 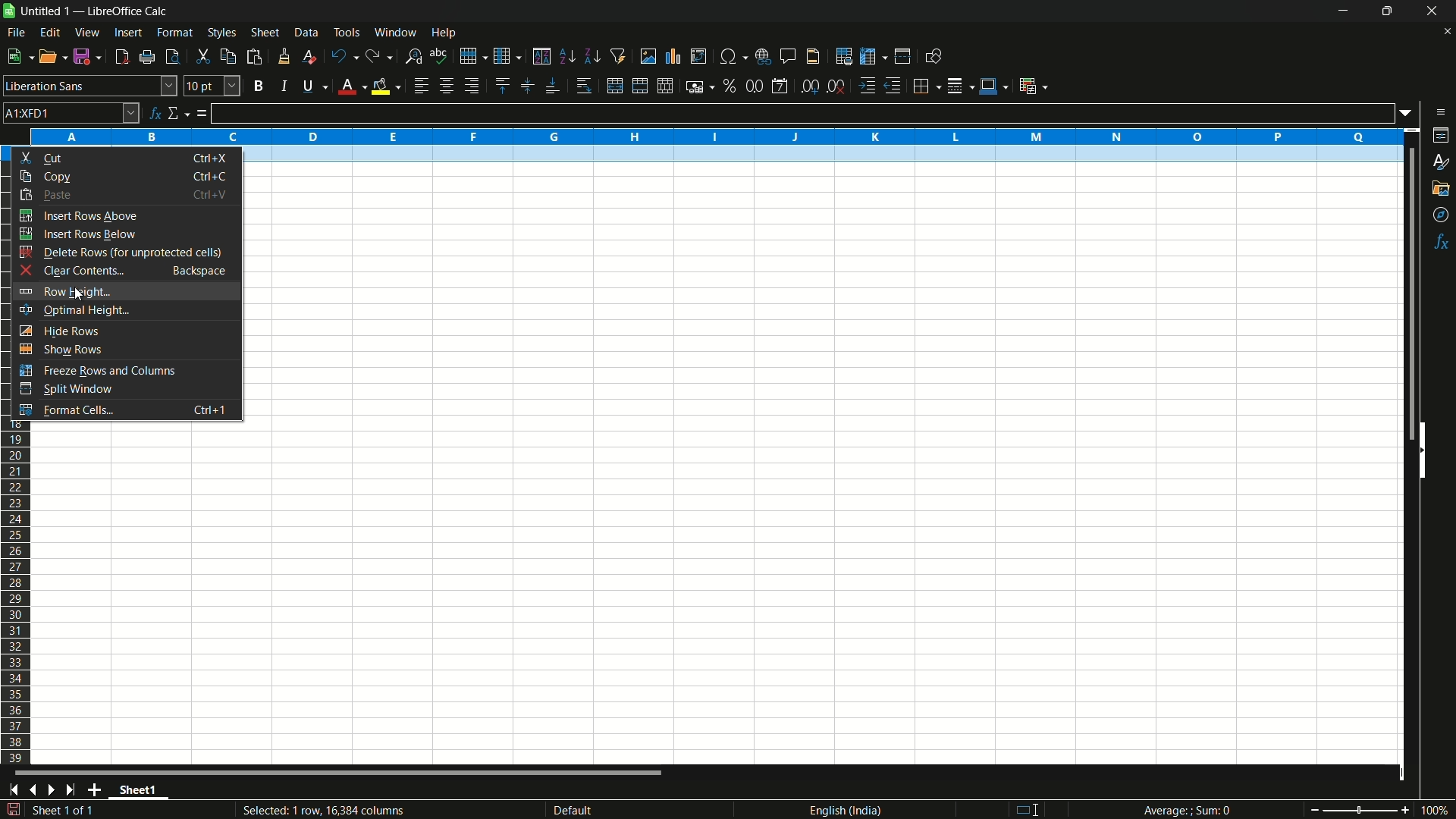 I want to click on navigator, so click(x=1442, y=215).